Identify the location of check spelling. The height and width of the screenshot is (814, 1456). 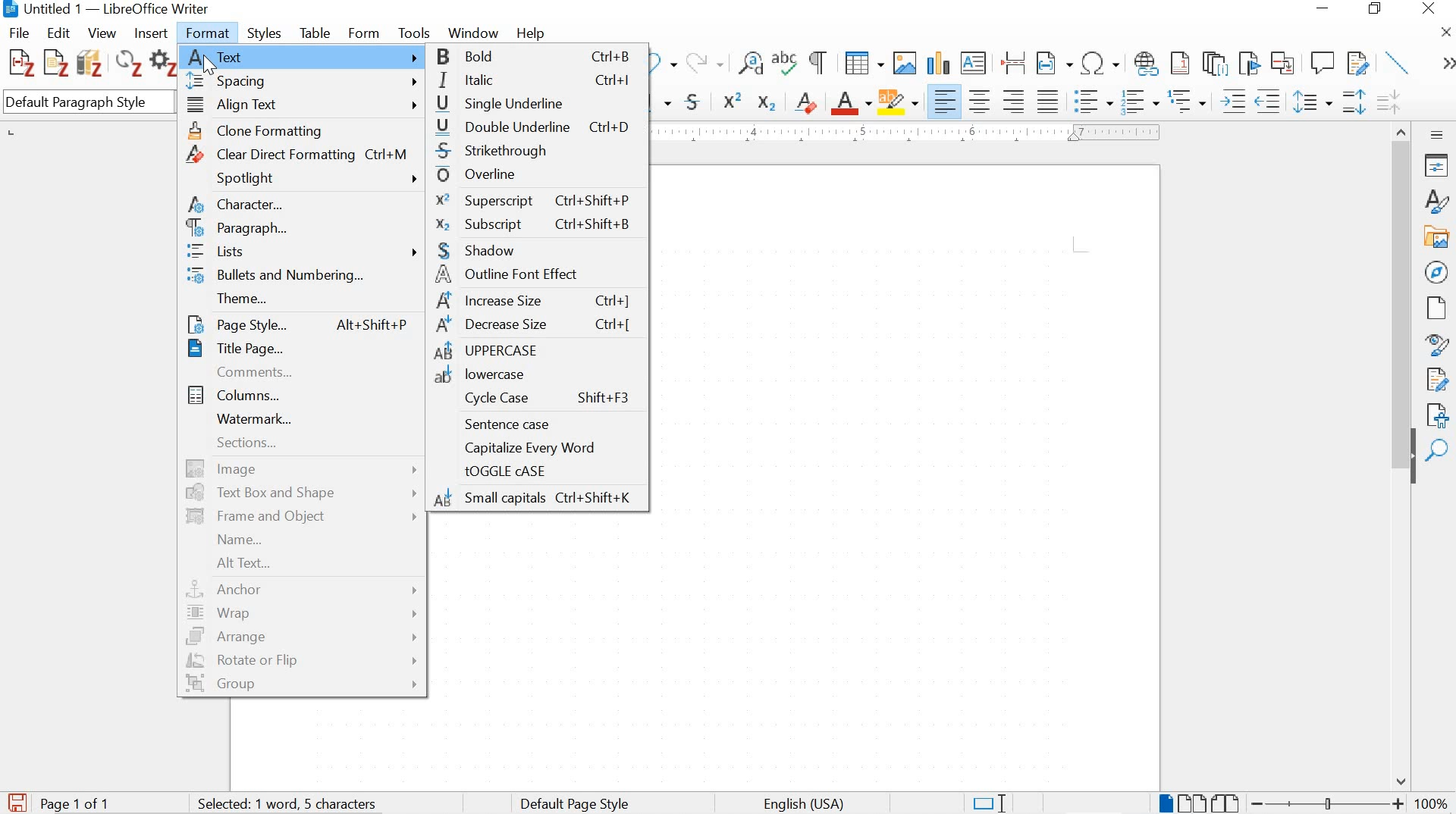
(786, 65).